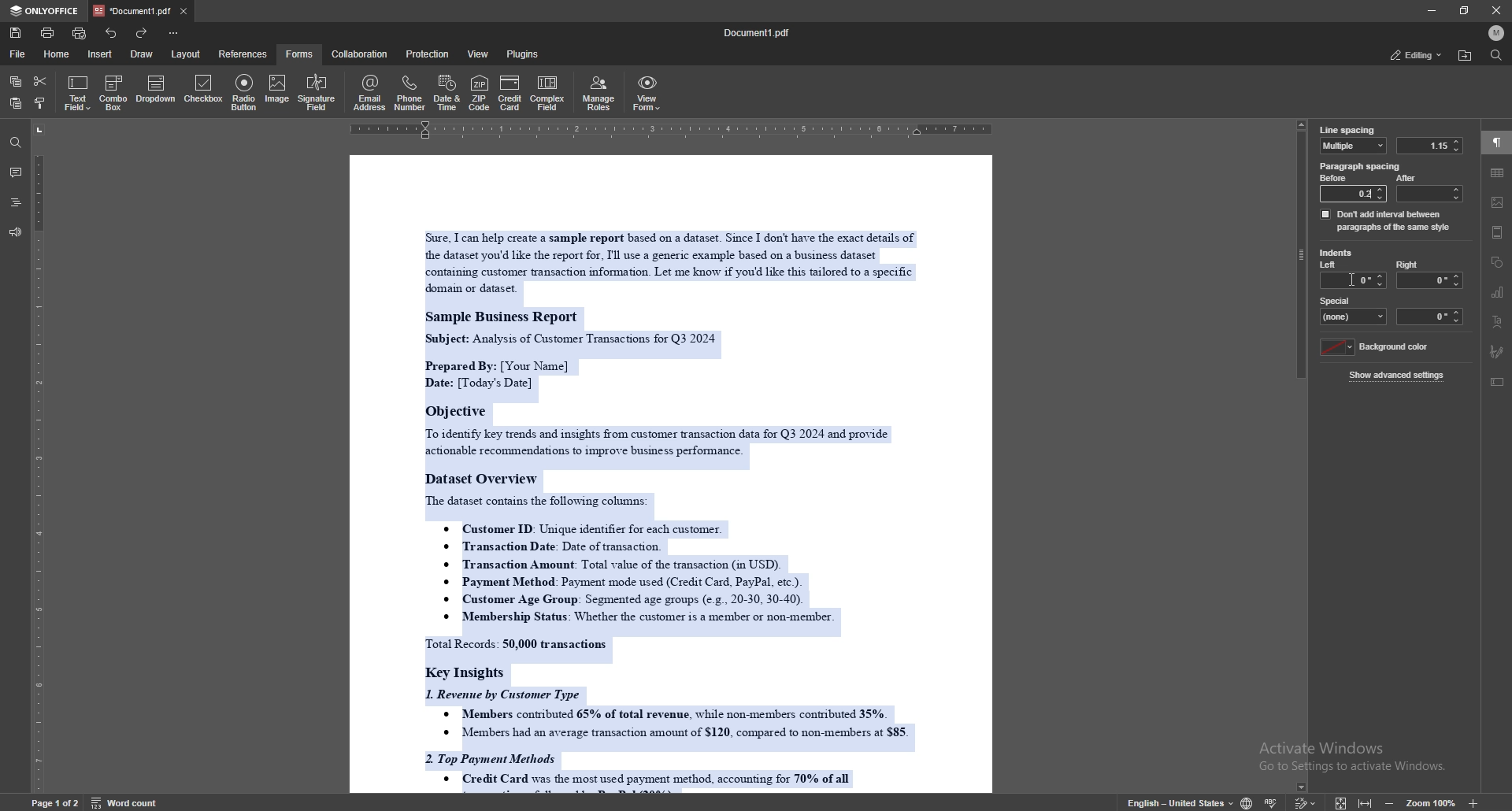 This screenshot has height=811, width=1512. I want to click on feedback, so click(15, 233).